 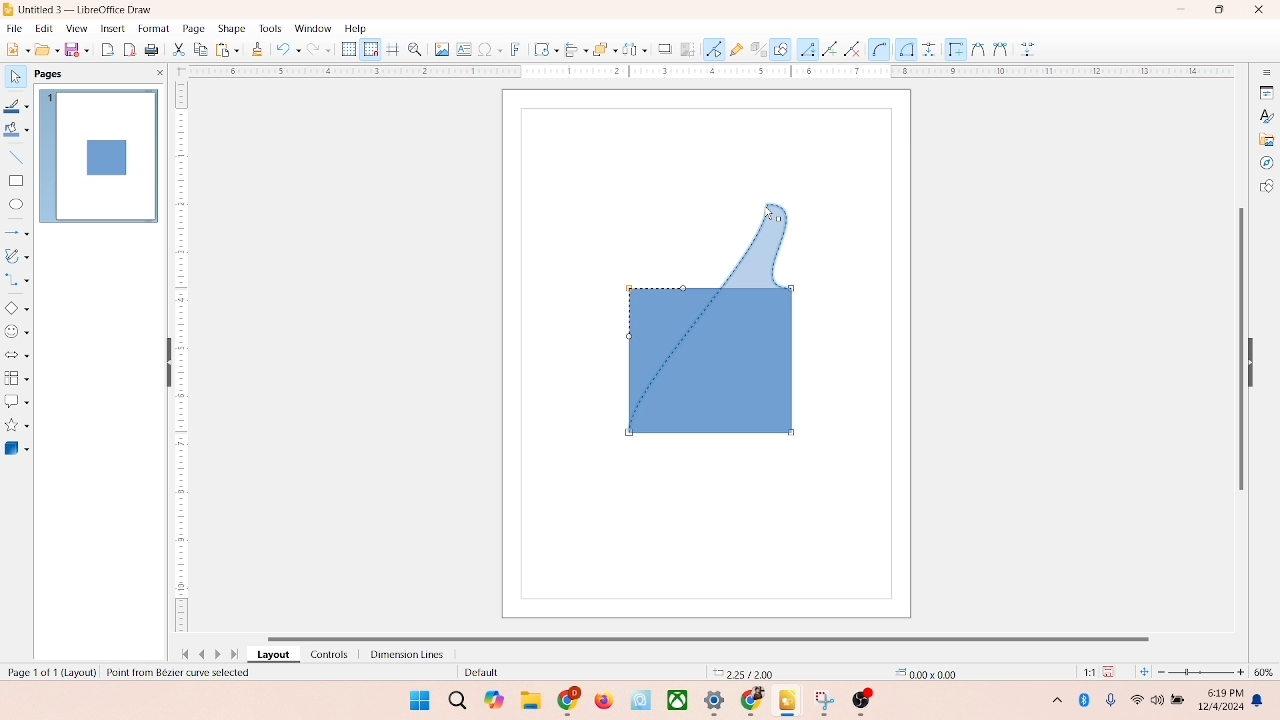 I want to click on scale bar, so click(x=704, y=72).